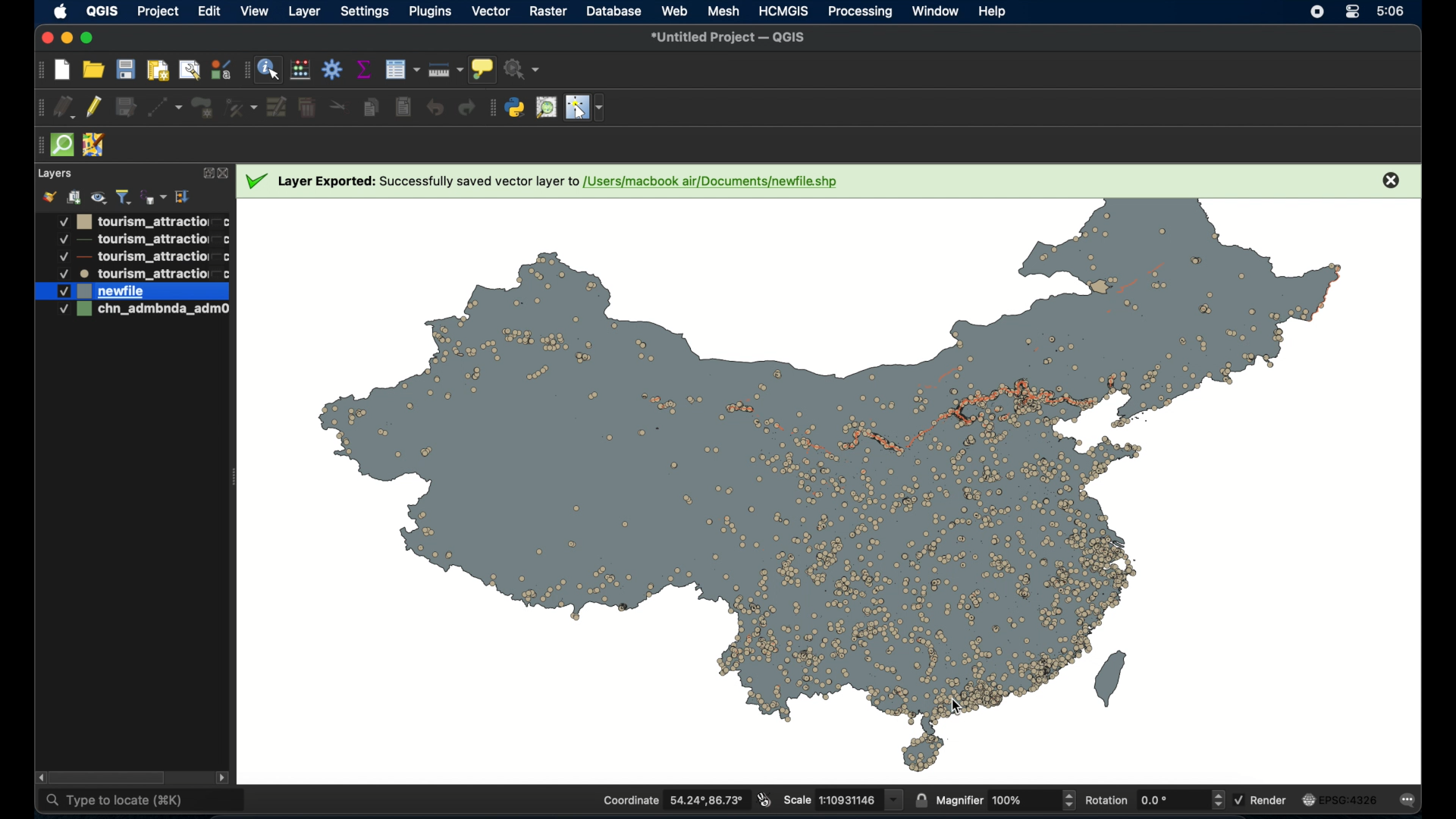 The height and width of the screenshot is (819, 1456). I want to click on current crs, so click(1341, 799).